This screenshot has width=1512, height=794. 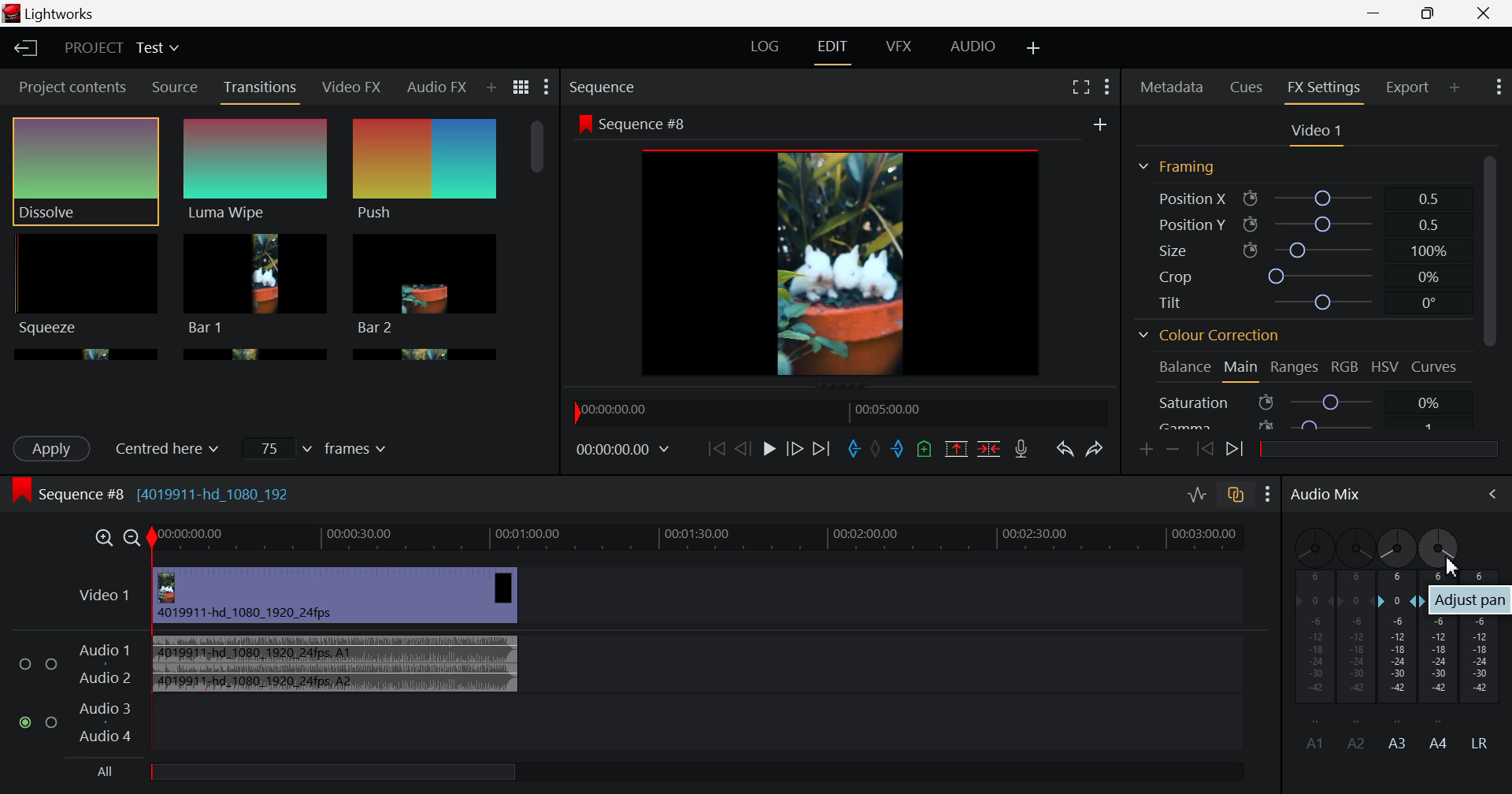 I want to click on LR Decibel Level, so click(x=1485, y=659).